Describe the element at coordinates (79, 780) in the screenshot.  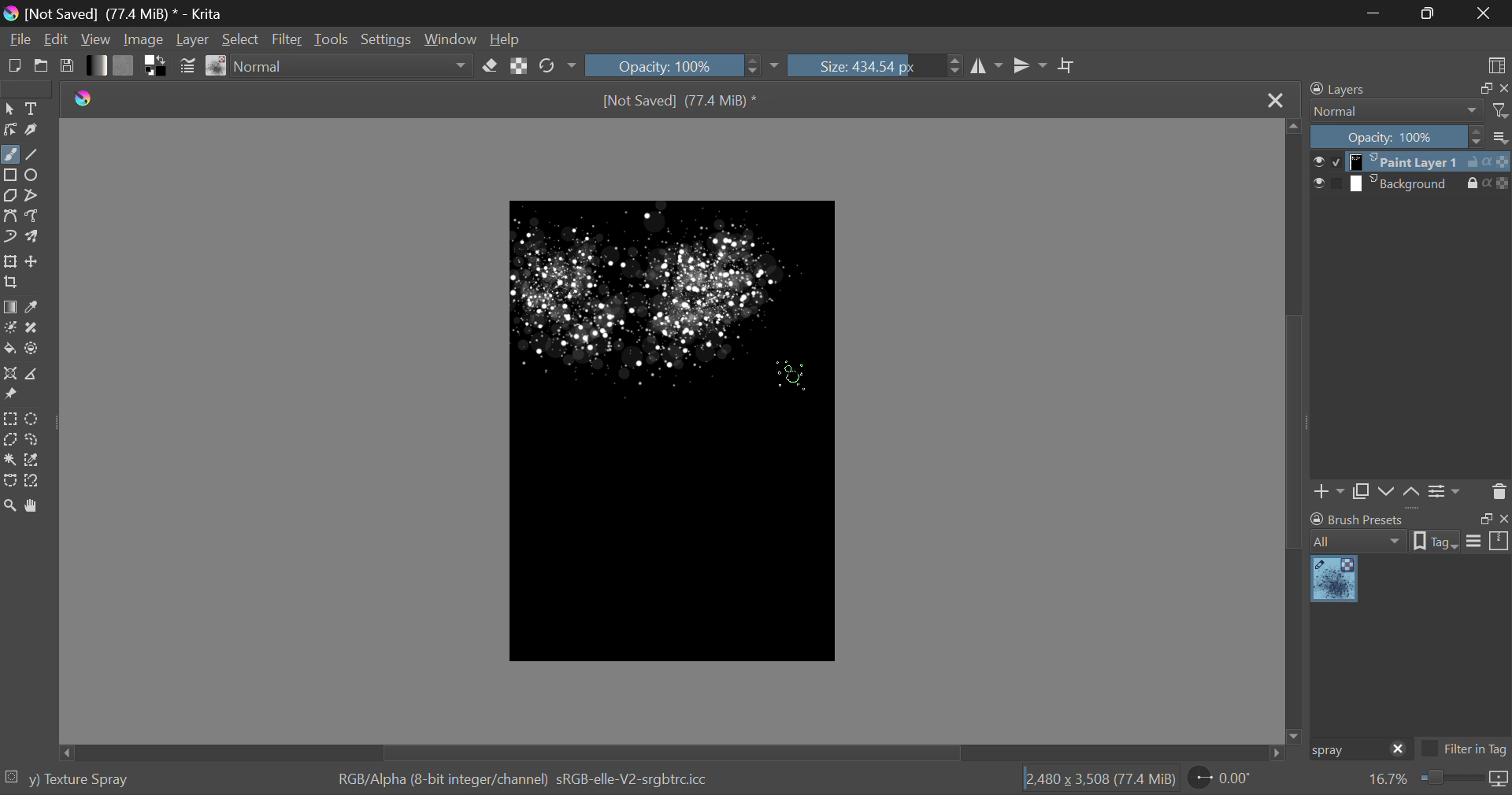
I see `y) Texture Spray` at that location.